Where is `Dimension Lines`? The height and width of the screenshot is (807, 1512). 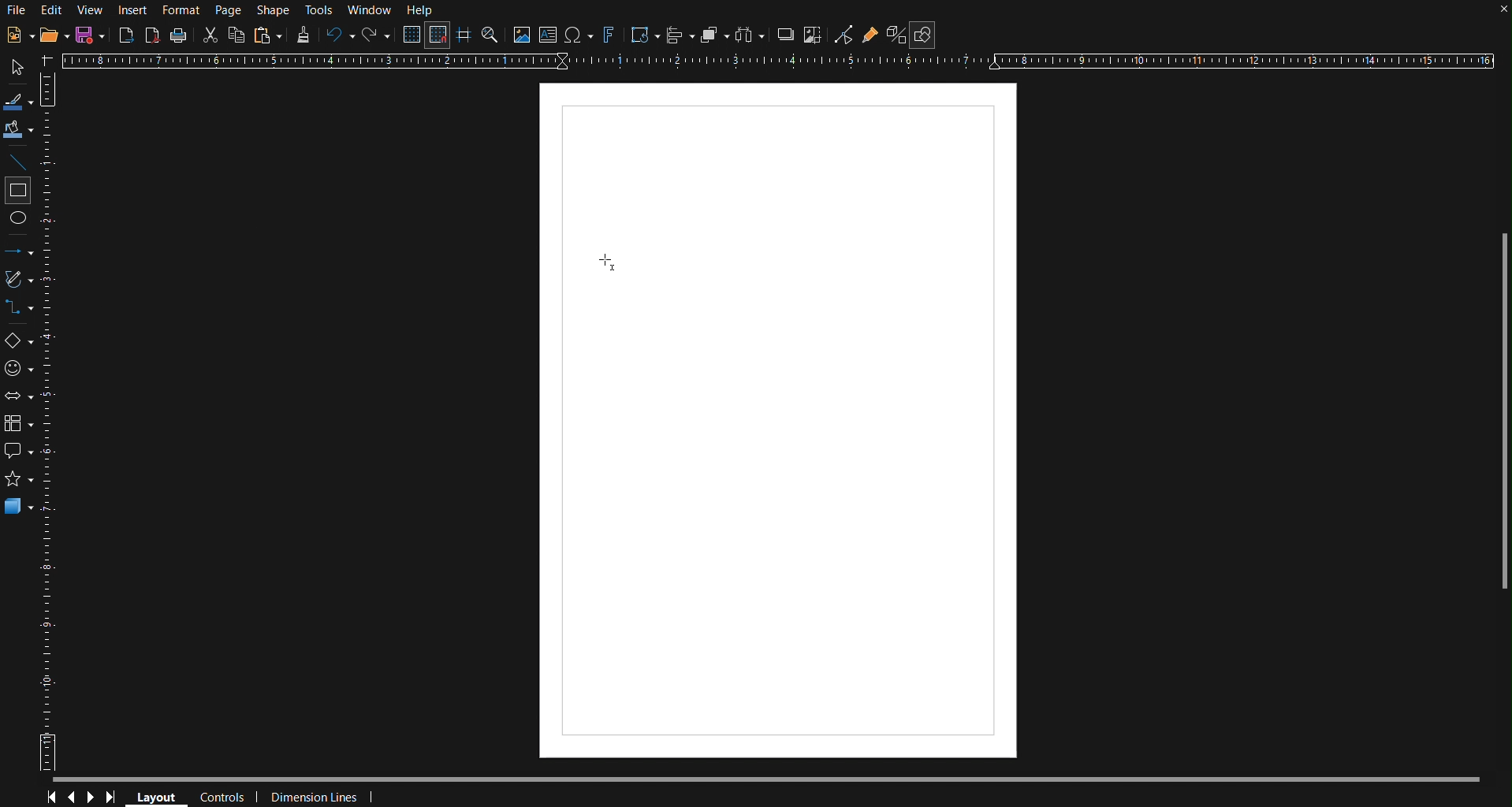
Dimension Lines is located at coordinates (327, 797).